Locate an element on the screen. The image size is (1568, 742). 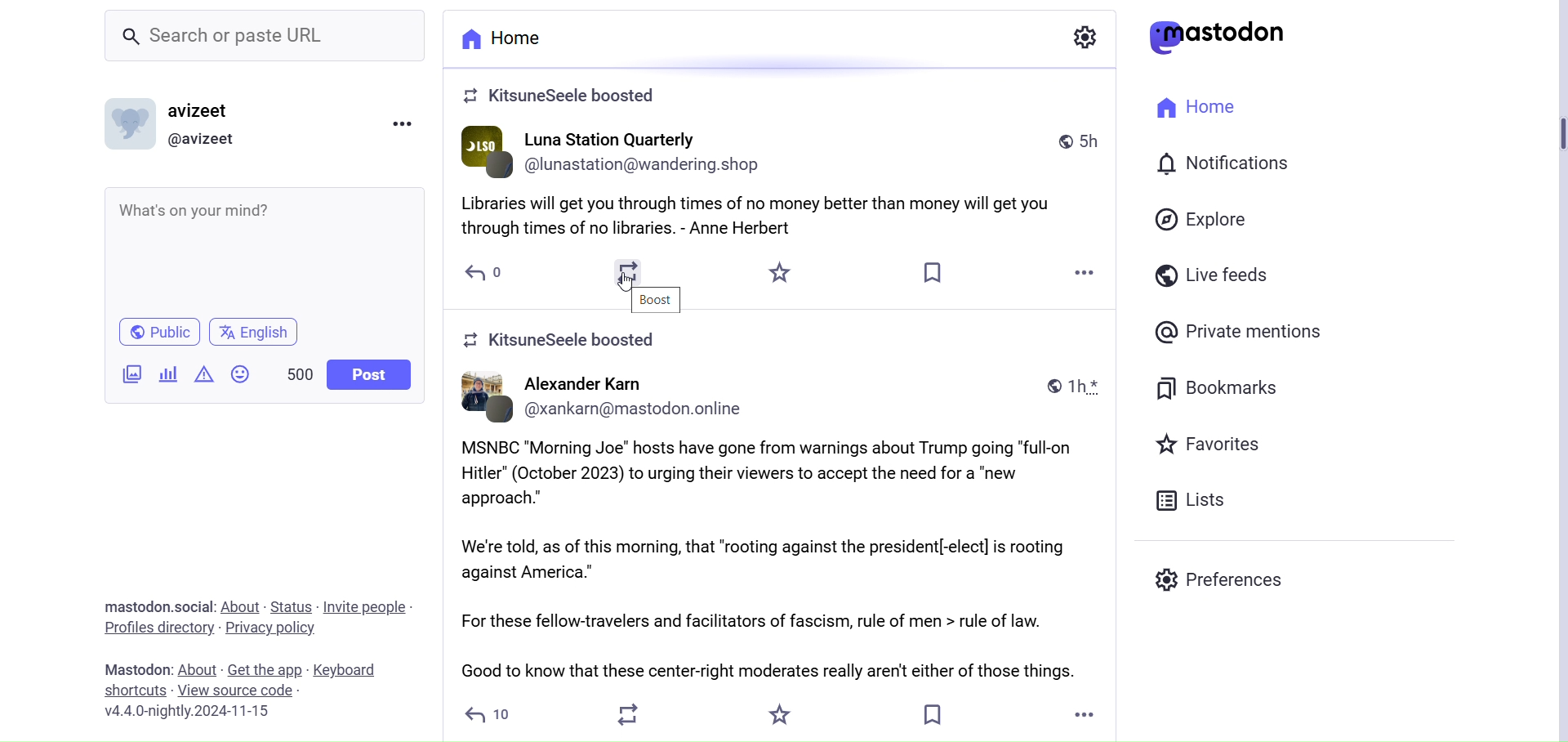
Add image is located at coordinates (132, 375).